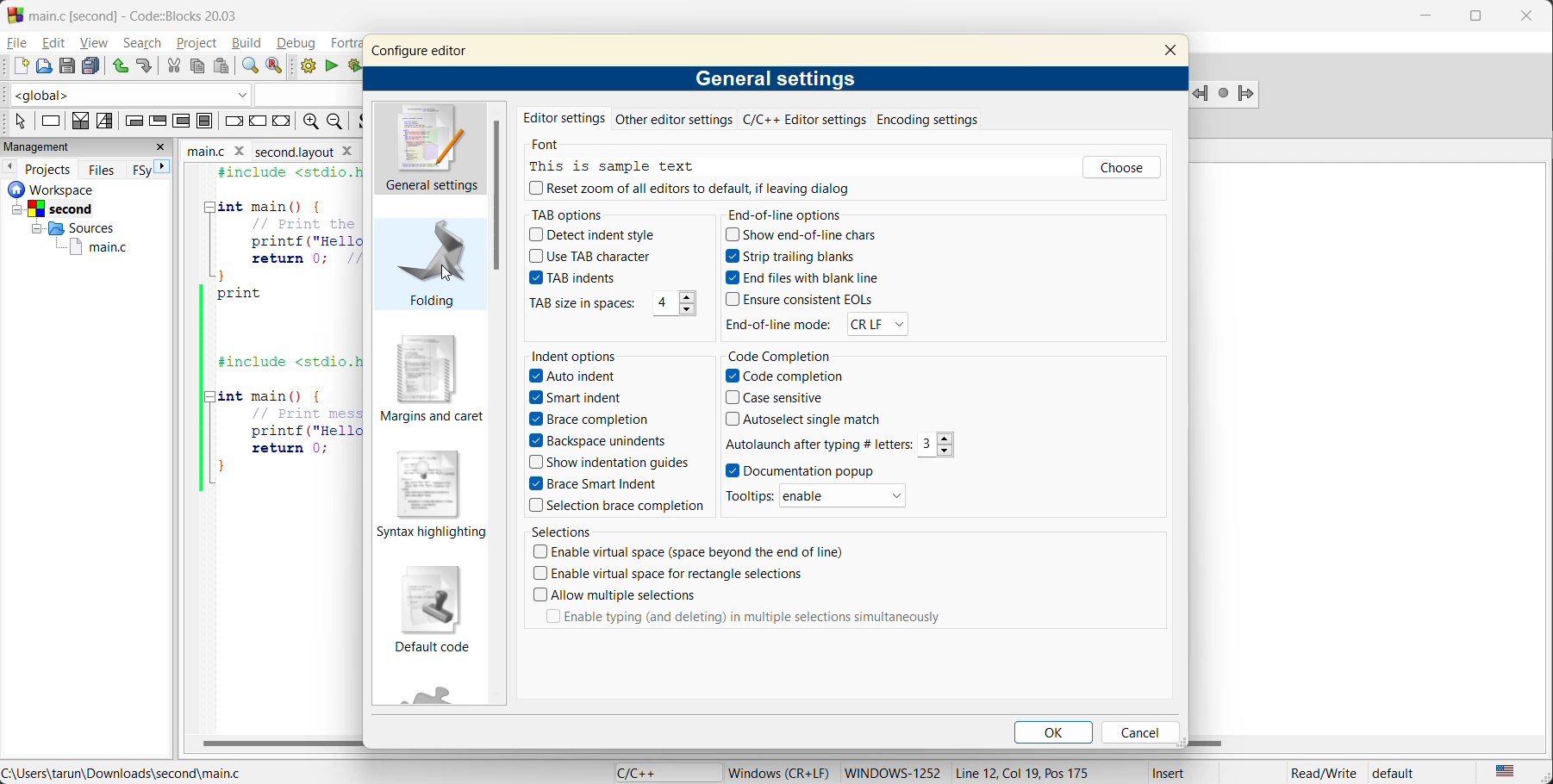 This screenshot has width=1553, height=784. I want to click on open, so click(47, 65).